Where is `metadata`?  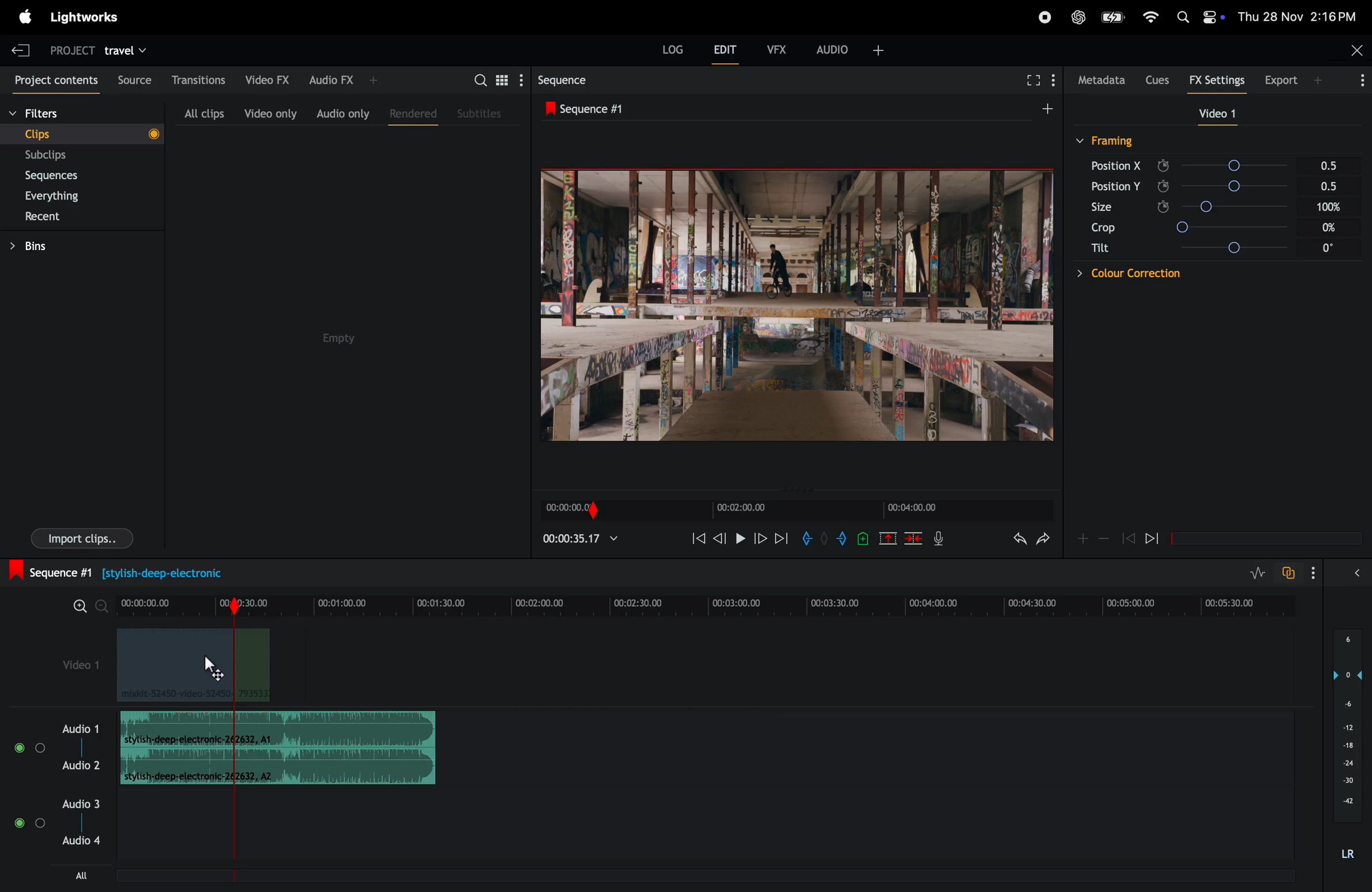 metadata is located at coordinates (1099, 80).